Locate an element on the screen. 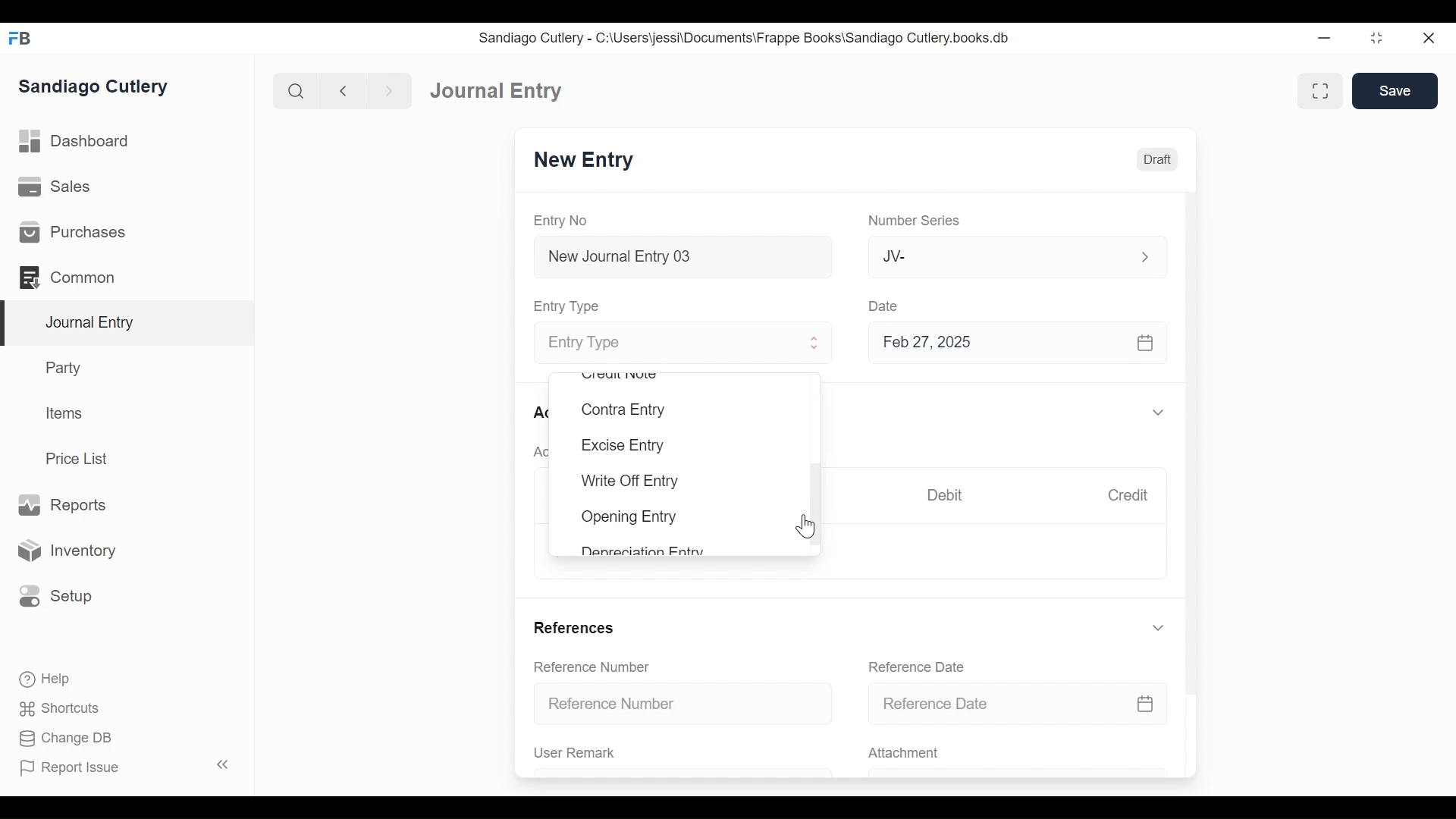 This screenshot has height=819, width=1456. Navigate back is located at coordinates (341, 91).